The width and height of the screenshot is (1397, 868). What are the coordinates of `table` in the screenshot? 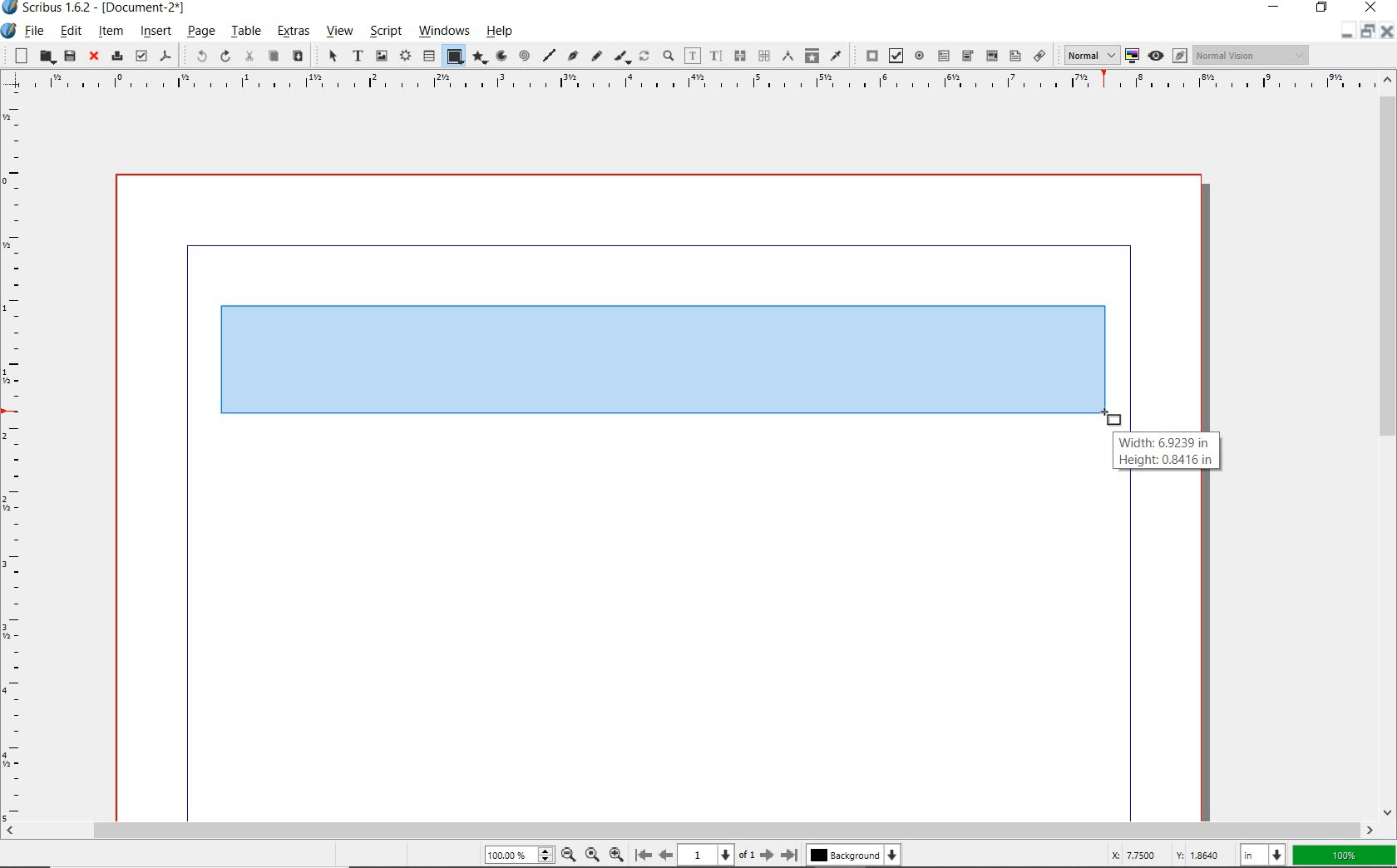 It's located at (427, 55).